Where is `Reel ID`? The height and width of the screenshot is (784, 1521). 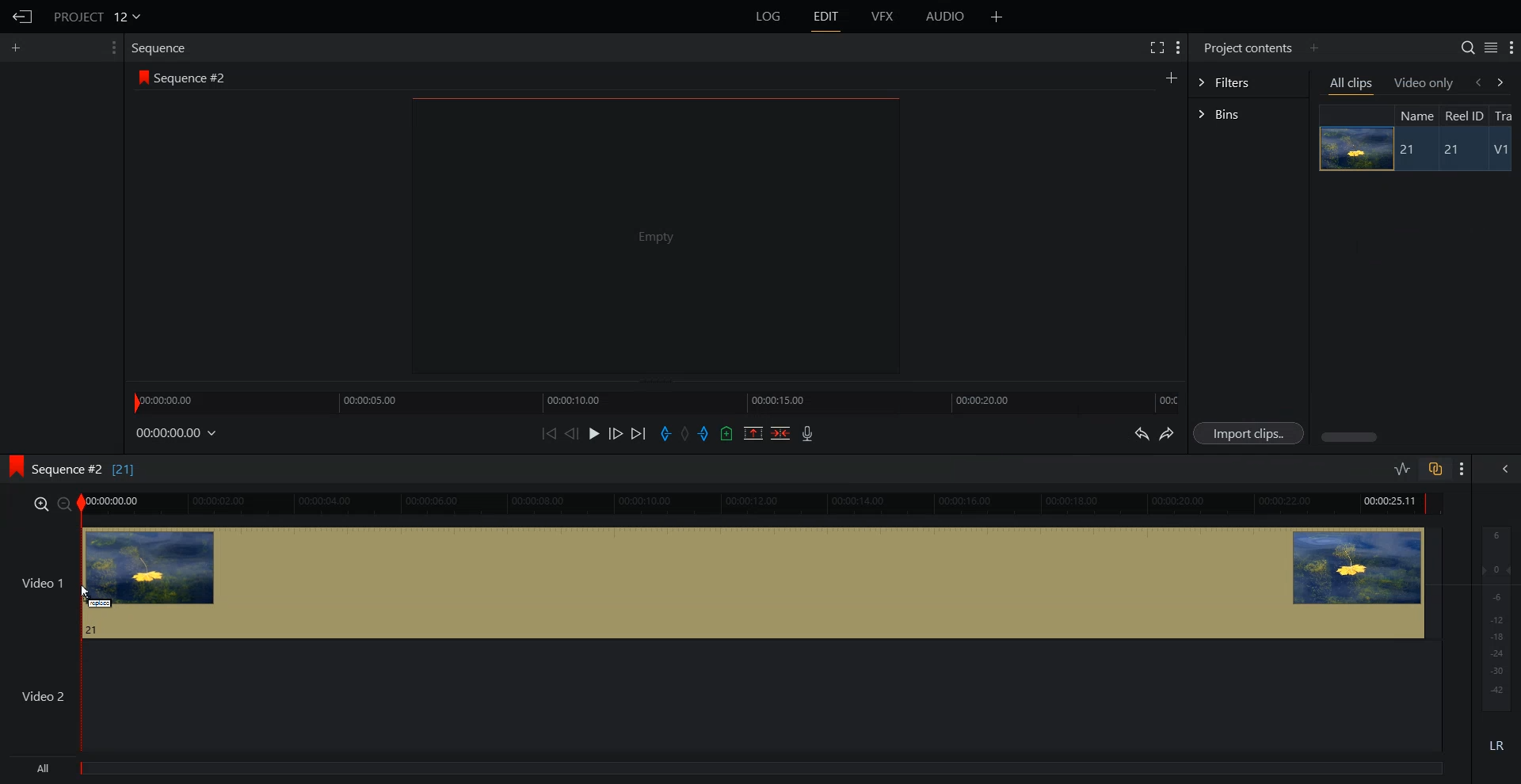
Reel ID is located at coordinates (1464, 116).